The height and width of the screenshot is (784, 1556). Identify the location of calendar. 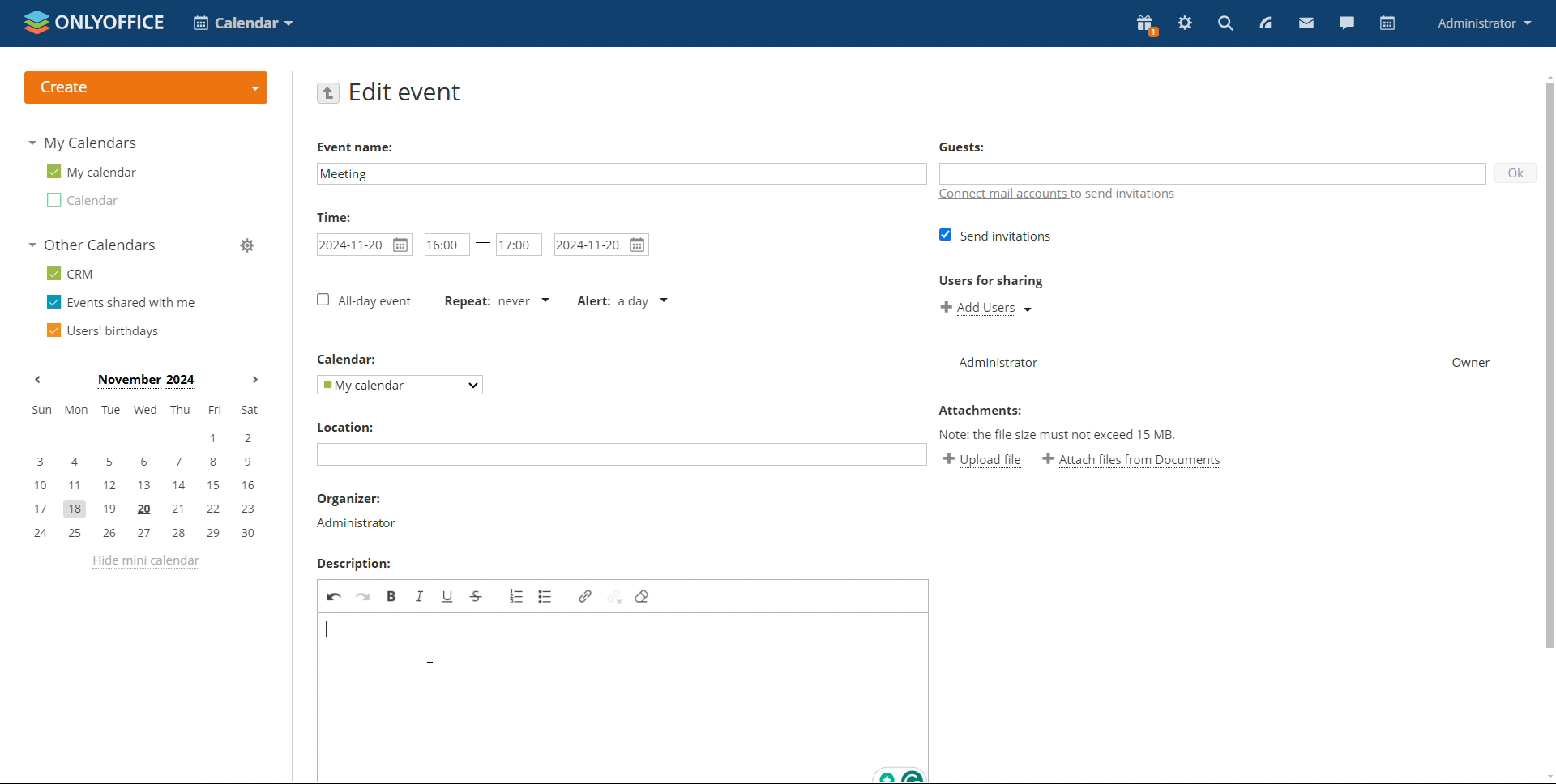
(82, 200).